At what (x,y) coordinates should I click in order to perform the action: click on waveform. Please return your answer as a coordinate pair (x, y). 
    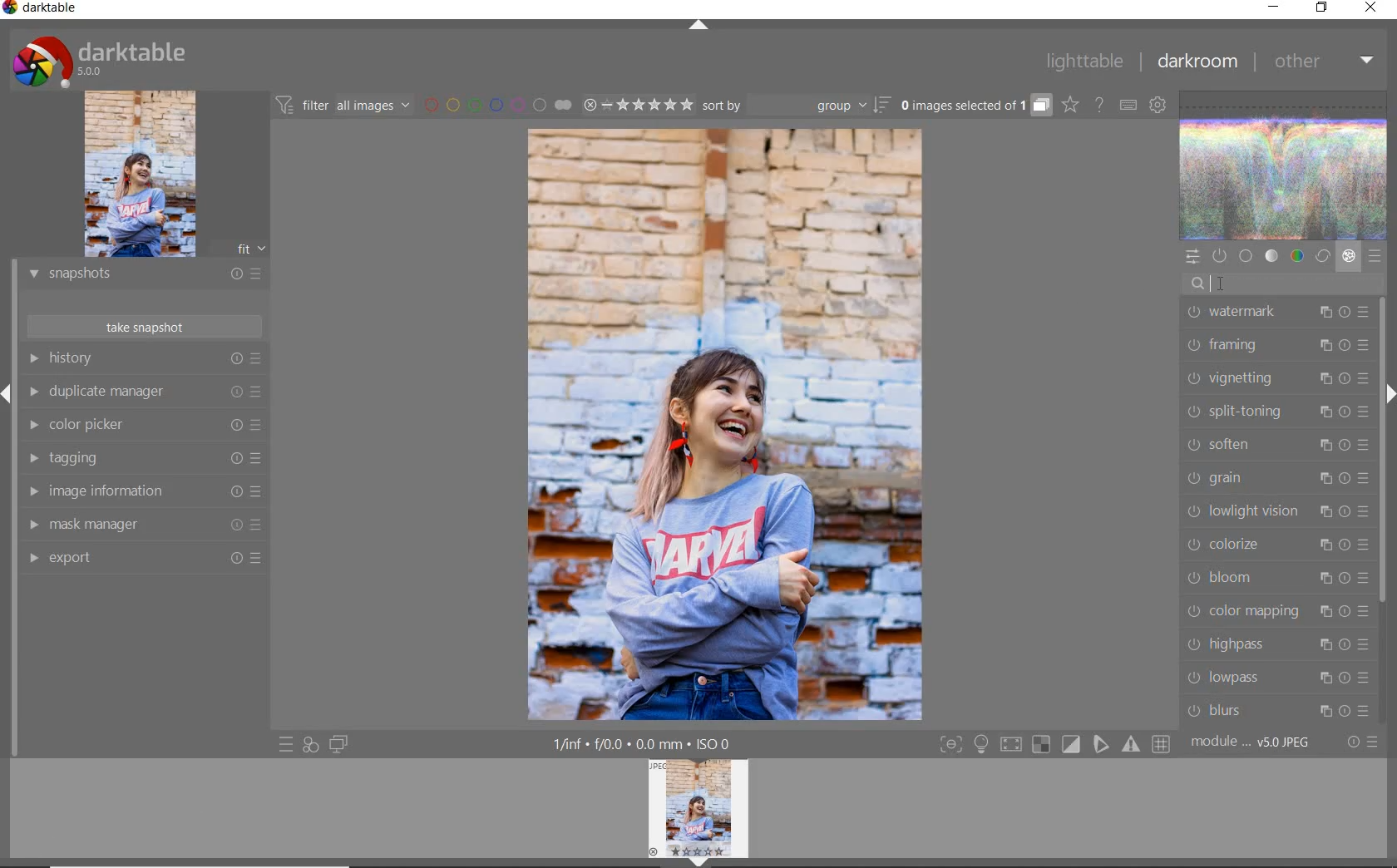
    Looking at the image, I should click on (1285, 164).